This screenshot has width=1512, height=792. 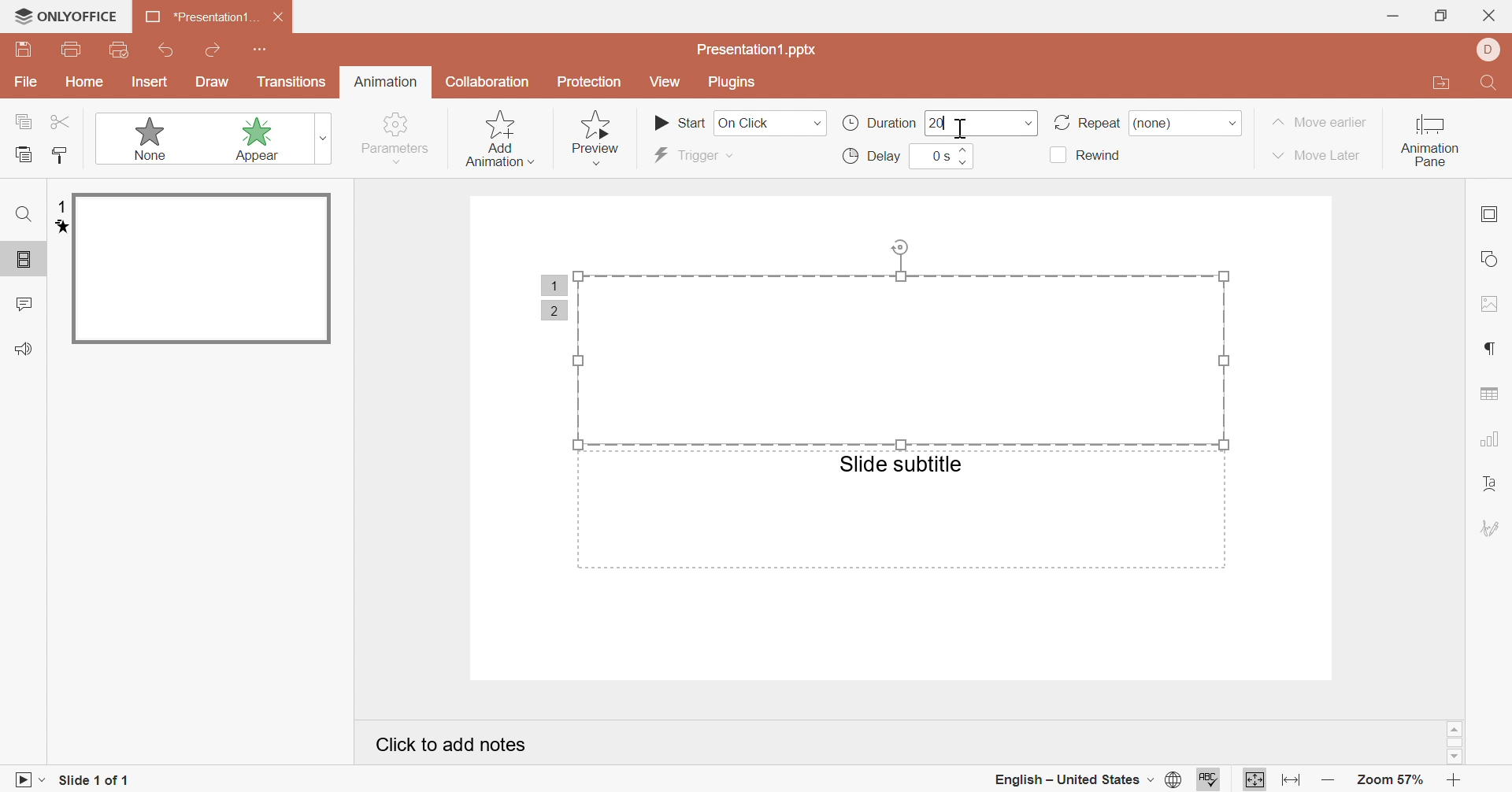 What do you see at coordinates (24, 120) in the screenshot?
I see `copy` at bounding box center [24, 120].